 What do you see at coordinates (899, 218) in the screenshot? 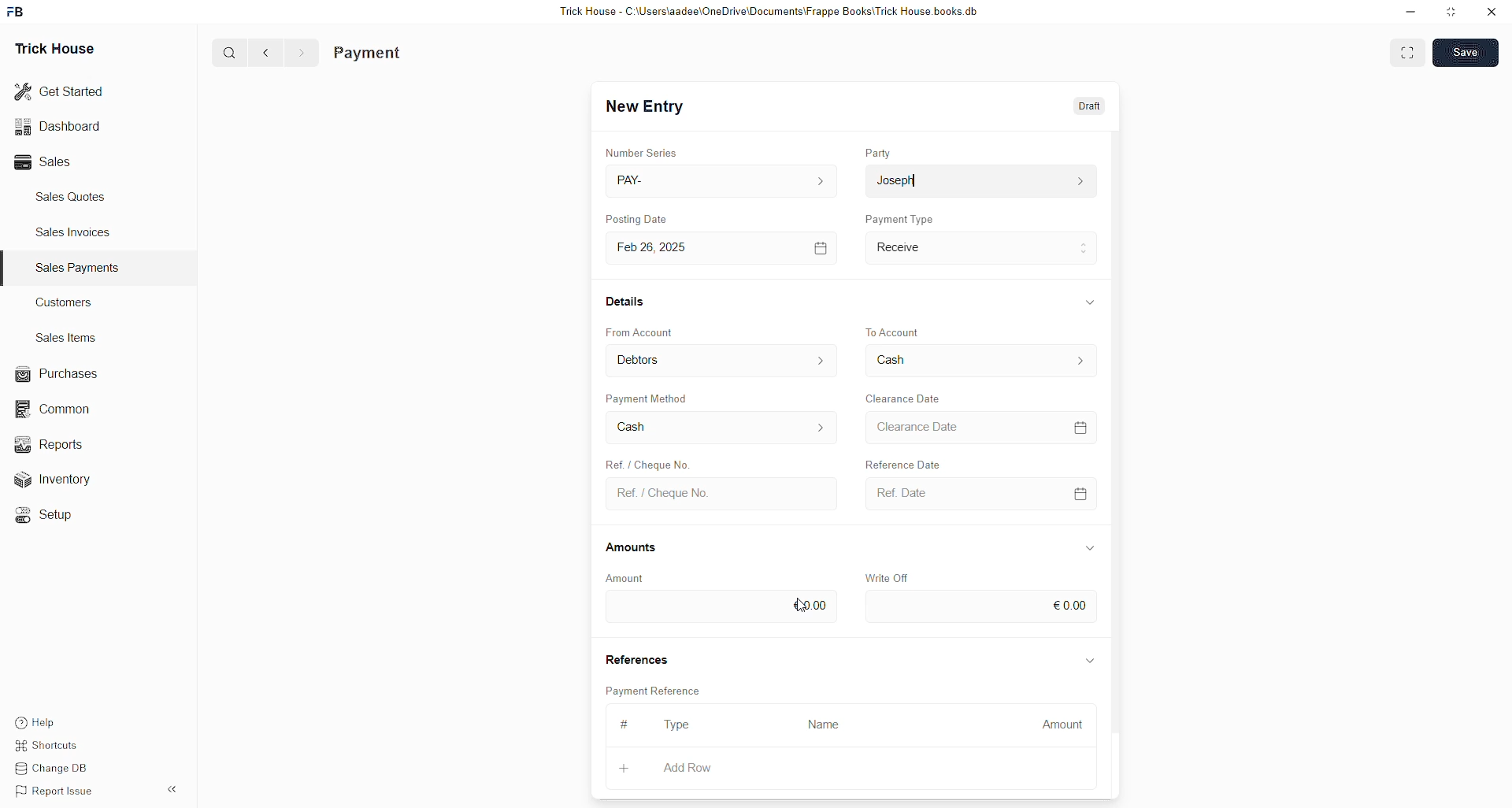
I see `Payment Type` at bounding box center [899, 218].